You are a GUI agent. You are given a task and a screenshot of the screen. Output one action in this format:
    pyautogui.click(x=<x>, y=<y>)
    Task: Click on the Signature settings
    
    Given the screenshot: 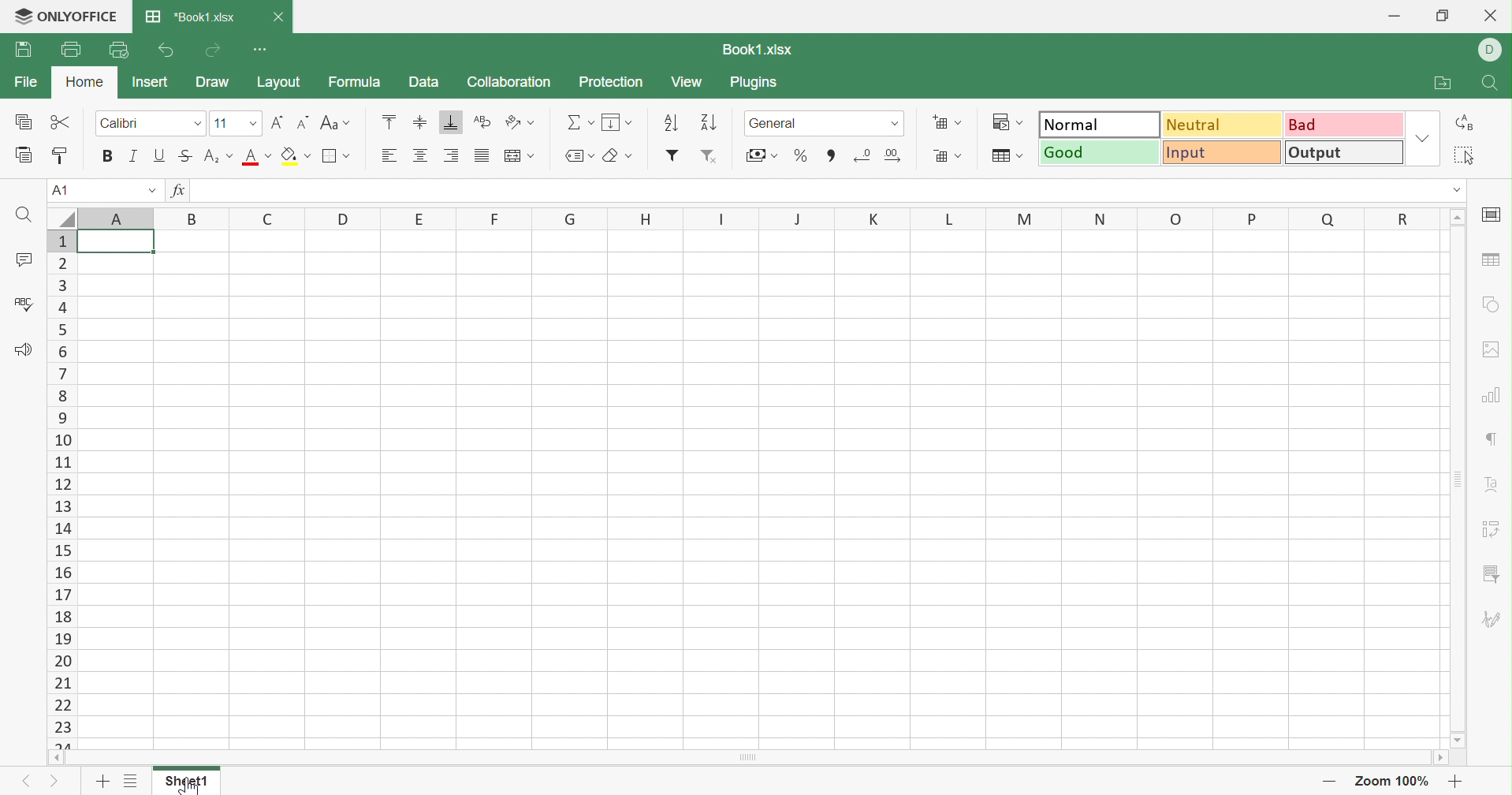 What is the action you would take?
    pyautogui.click(x=1493, y=620)
    